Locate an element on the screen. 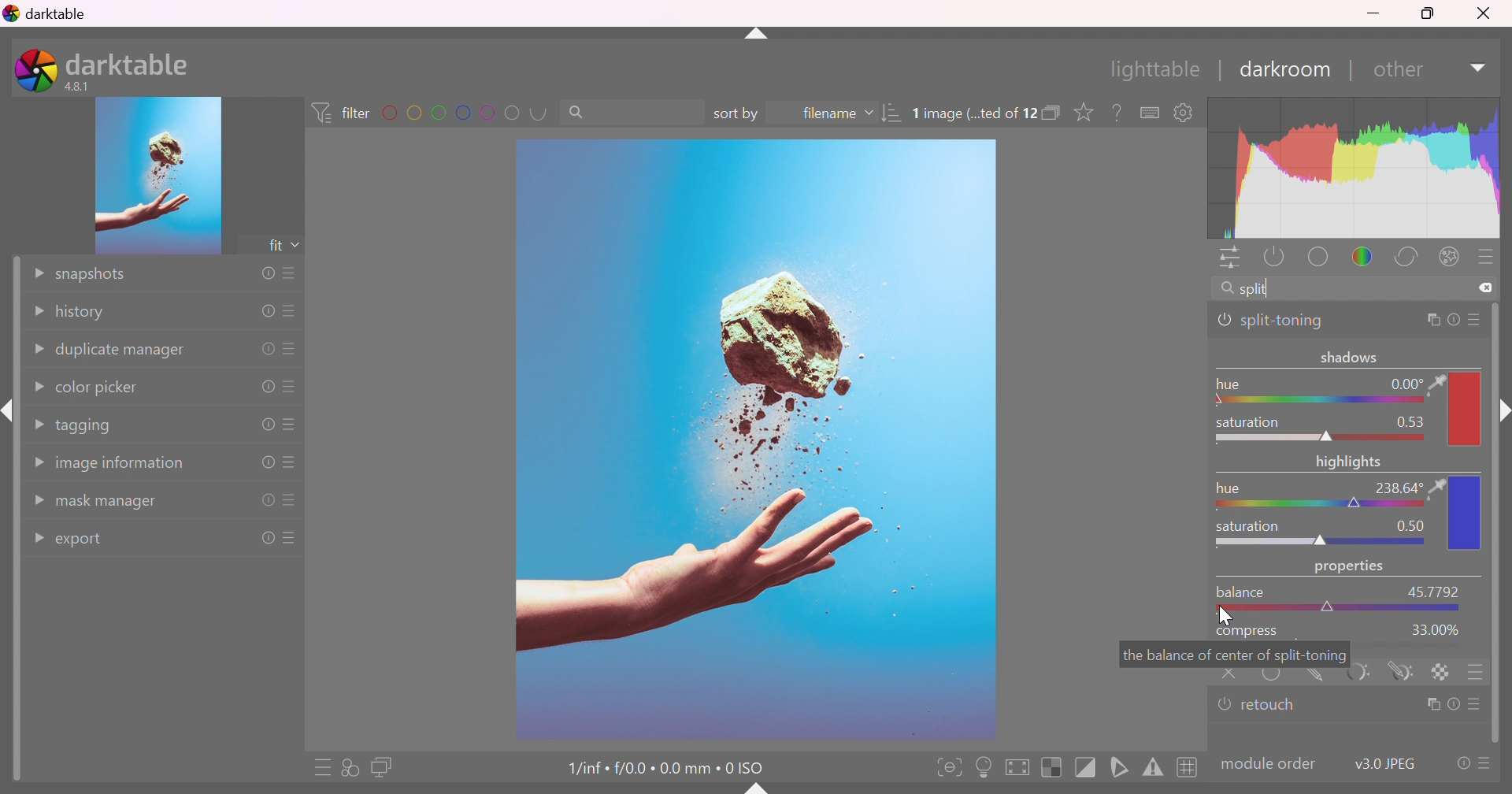  tagging is located at coordinates (87, 429).